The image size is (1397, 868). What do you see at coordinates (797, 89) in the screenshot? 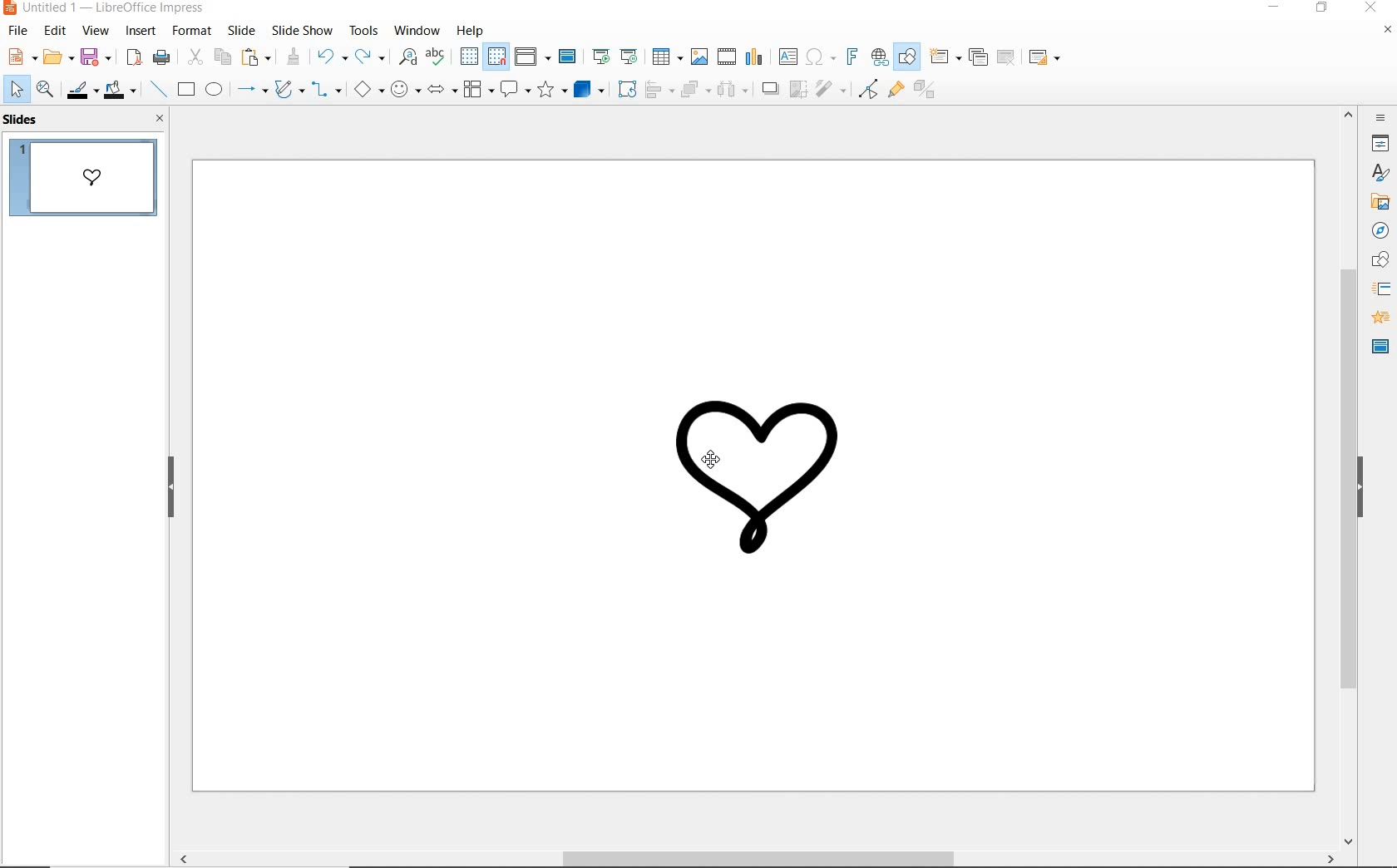
I see `crop image` at bounding box center [797, 89].